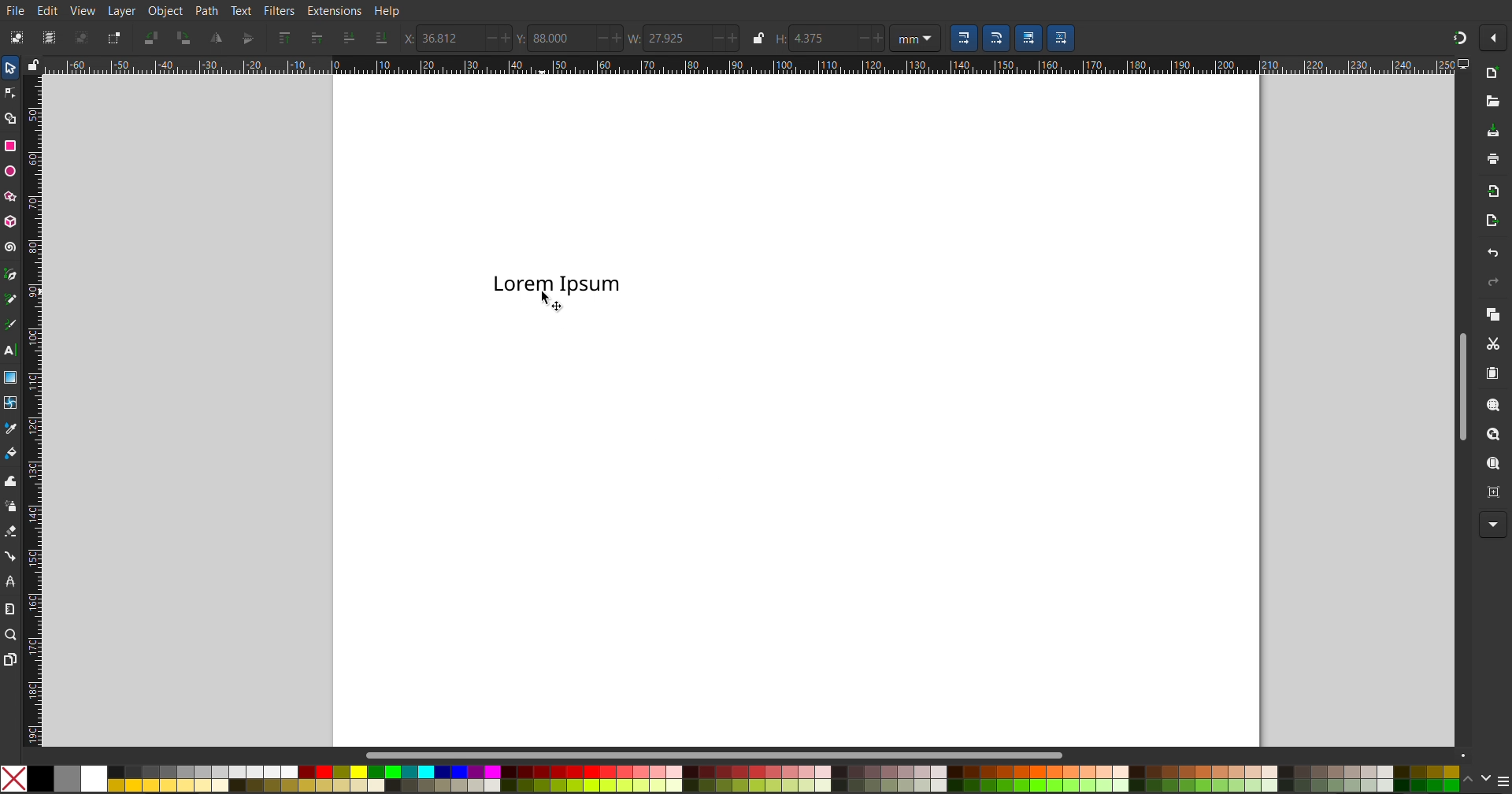 The image size is (1512, 794). What do you see at coordinates (1062, 39) in the screenshot?
I see `Move patterns along with objects` at bounding box center [1062, 39].